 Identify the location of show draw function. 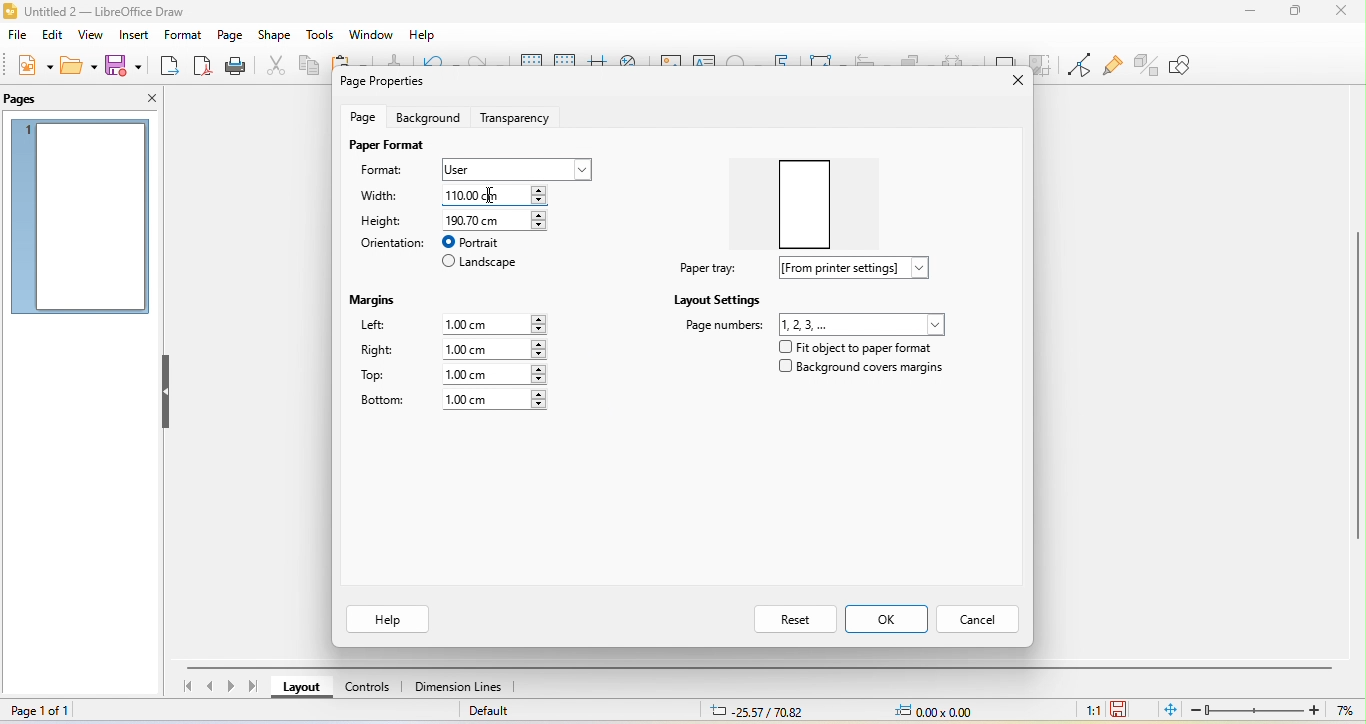
(1195, 65).